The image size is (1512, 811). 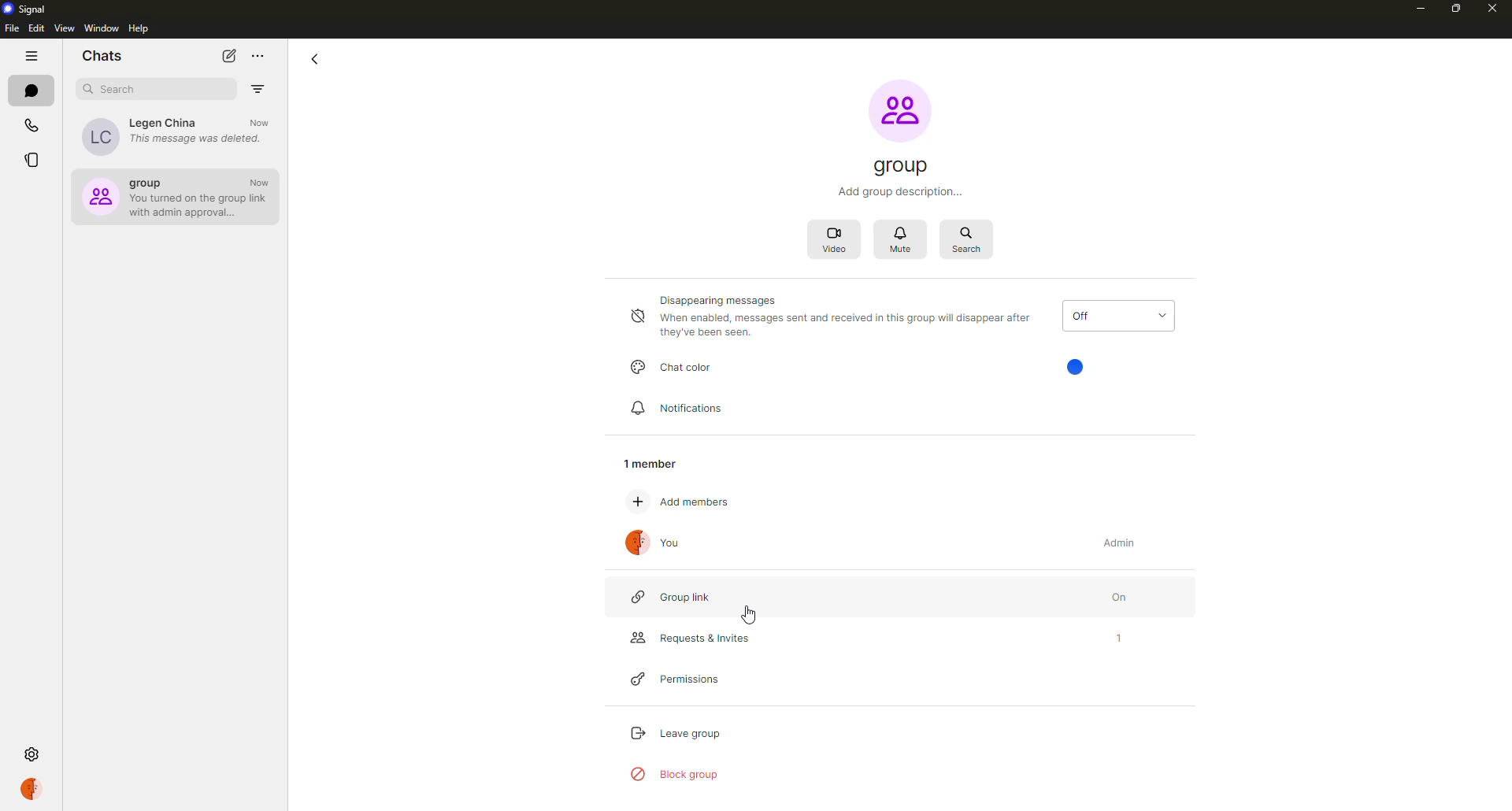 I want to click on disappearing messages, so click(x=834, y=317).